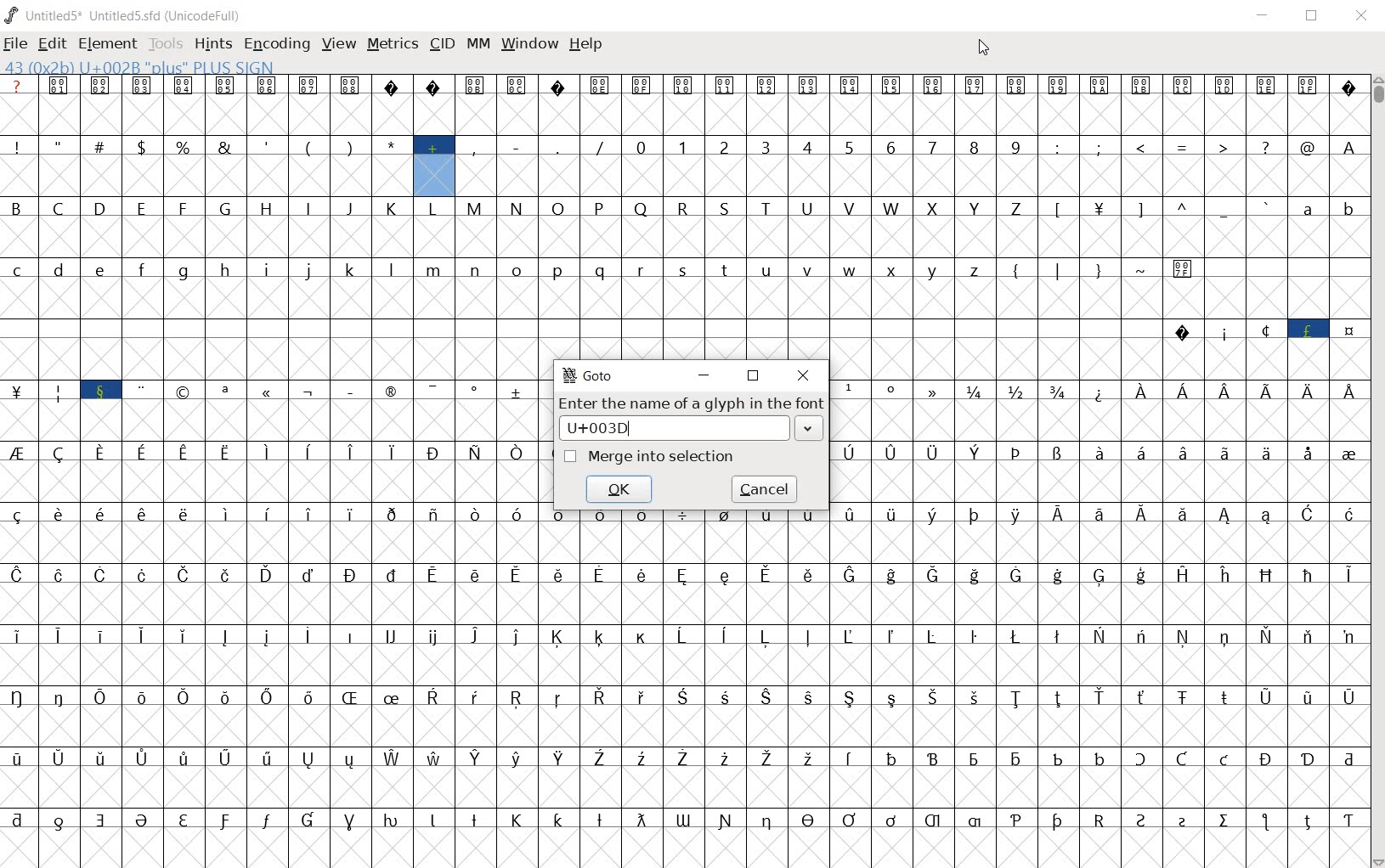 Image resolution: width=1385 pixels, height=868 pixels. Describe the element at coordinates (478, 45) in the screenshot. I see `mm` at that location.